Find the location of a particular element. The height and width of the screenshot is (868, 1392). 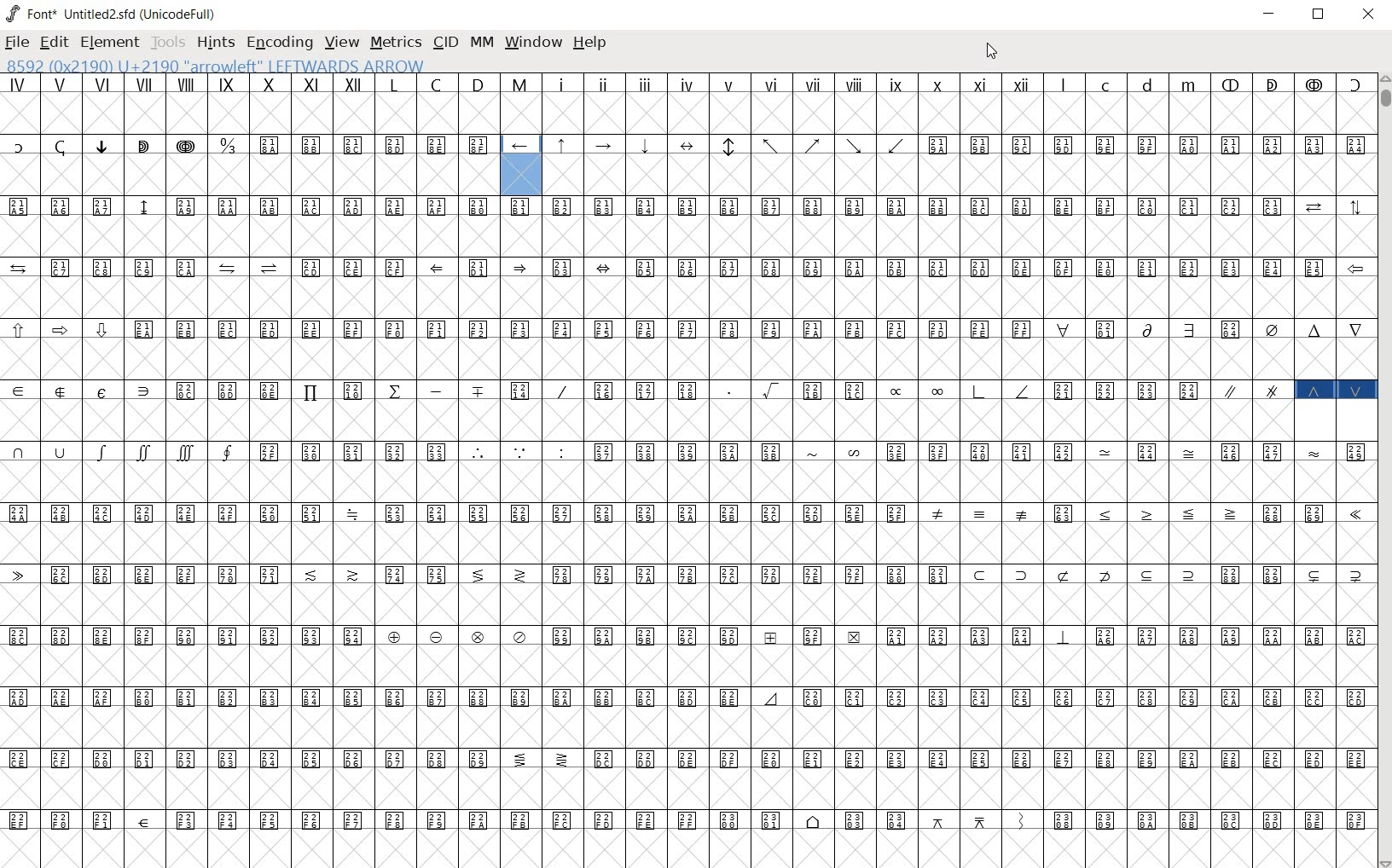

metrics is located at coordinates (395, 43).